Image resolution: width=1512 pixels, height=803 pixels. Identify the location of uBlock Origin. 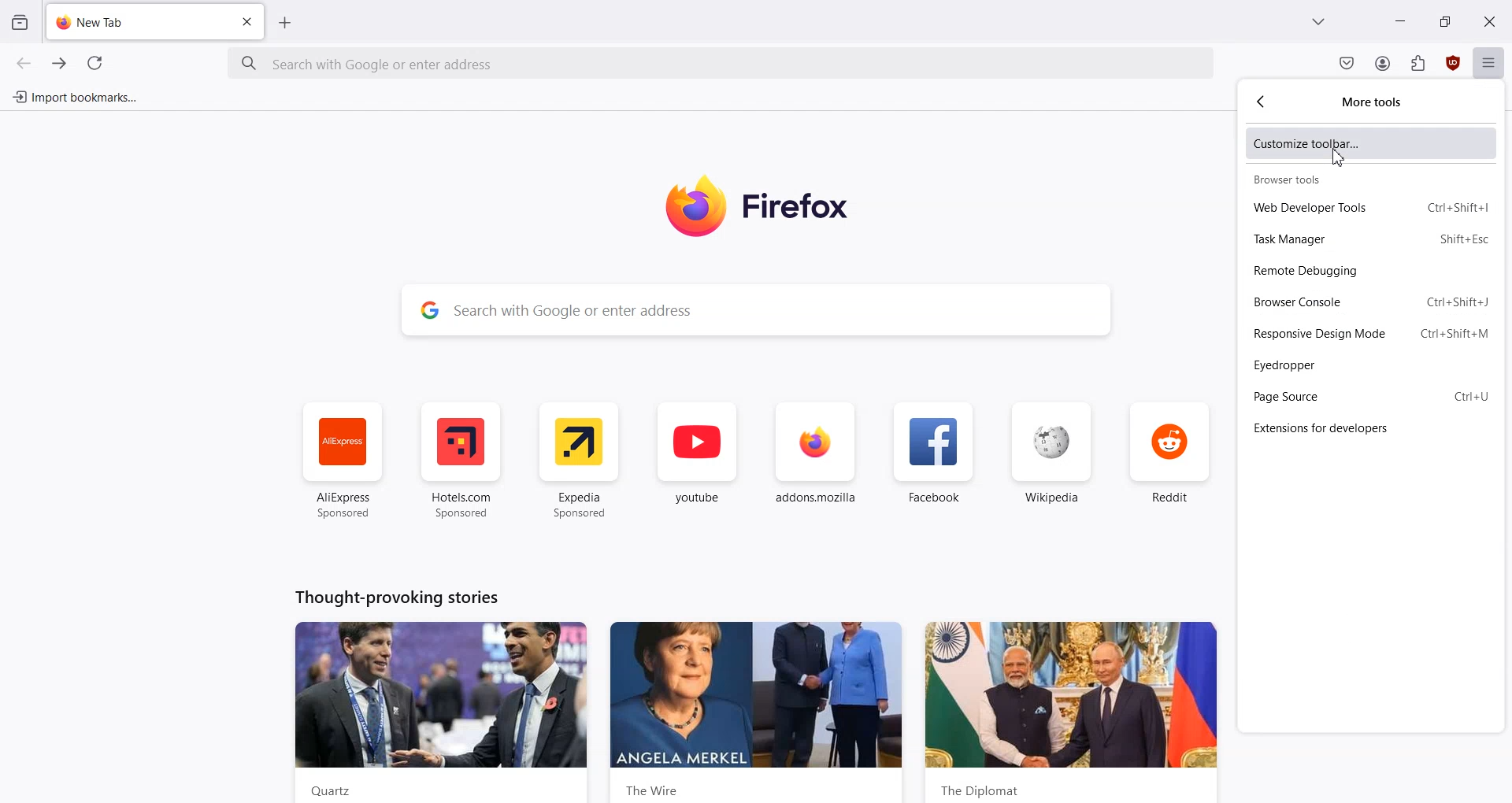
(1455, 63).